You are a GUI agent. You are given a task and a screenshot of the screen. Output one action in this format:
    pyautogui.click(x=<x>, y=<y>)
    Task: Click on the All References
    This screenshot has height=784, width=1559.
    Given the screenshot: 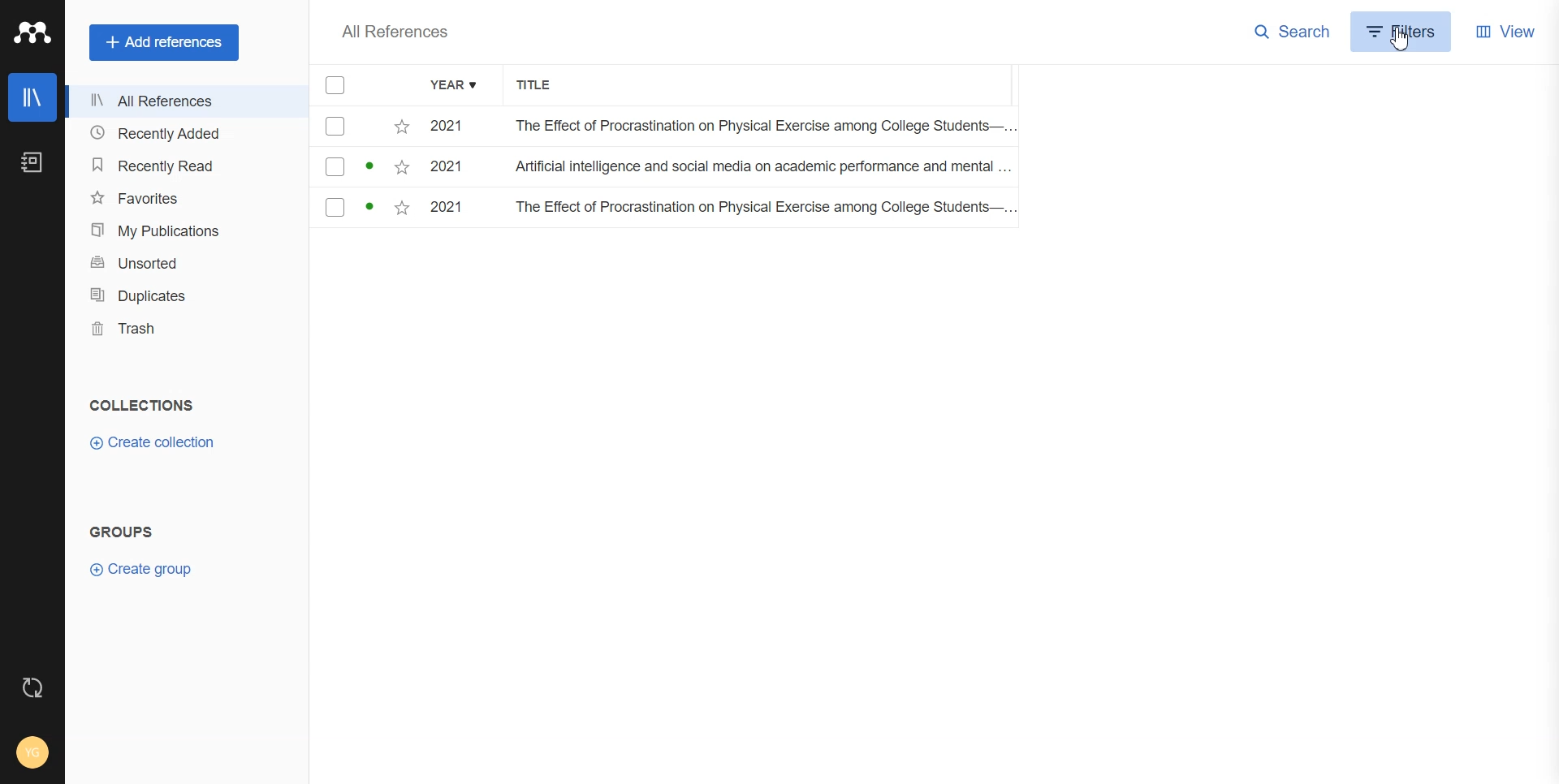 What is the action you would take?
    pyautogui.click(x=186, y=103)
    